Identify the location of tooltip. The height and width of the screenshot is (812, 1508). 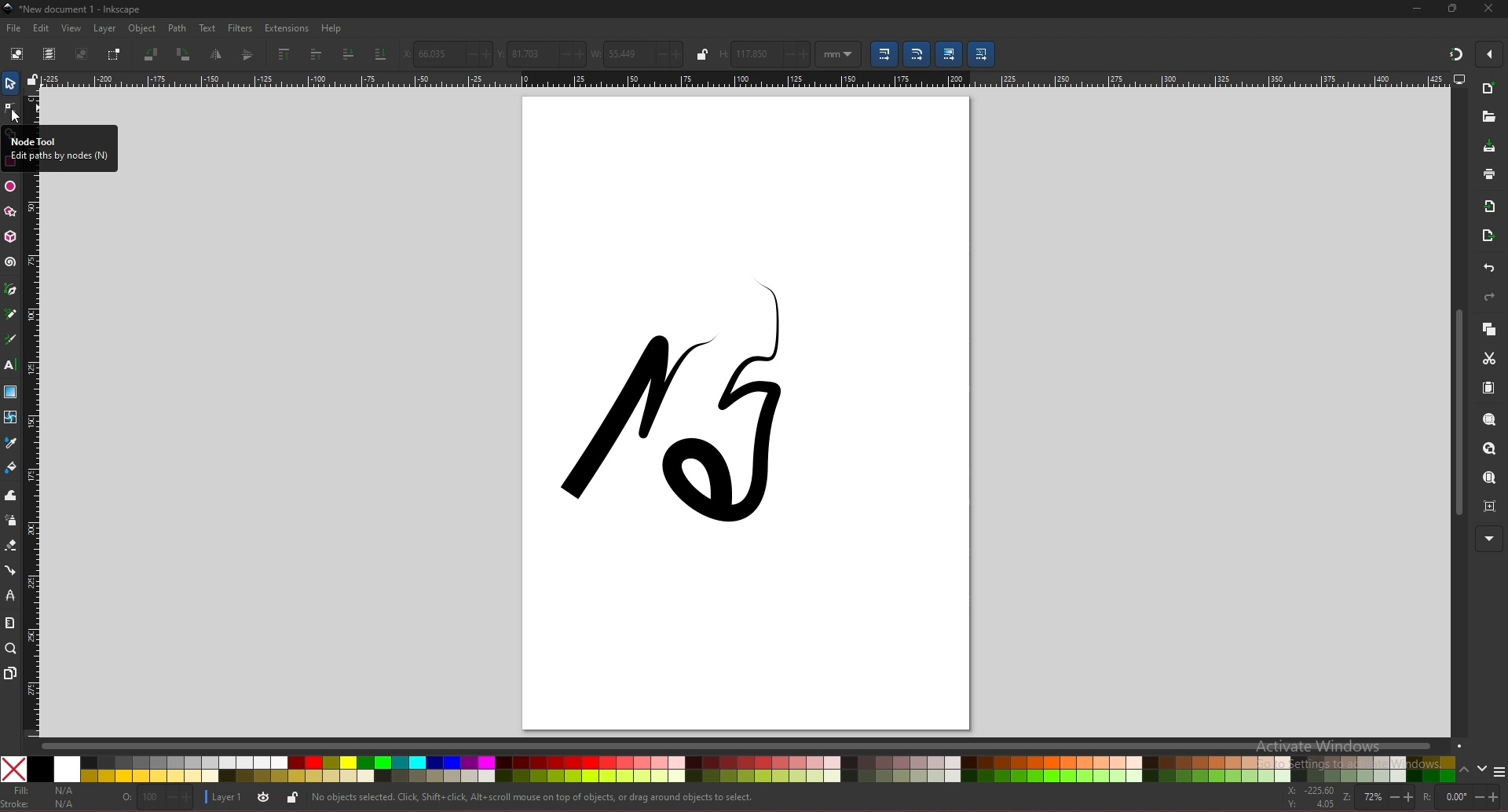
(60, 146).